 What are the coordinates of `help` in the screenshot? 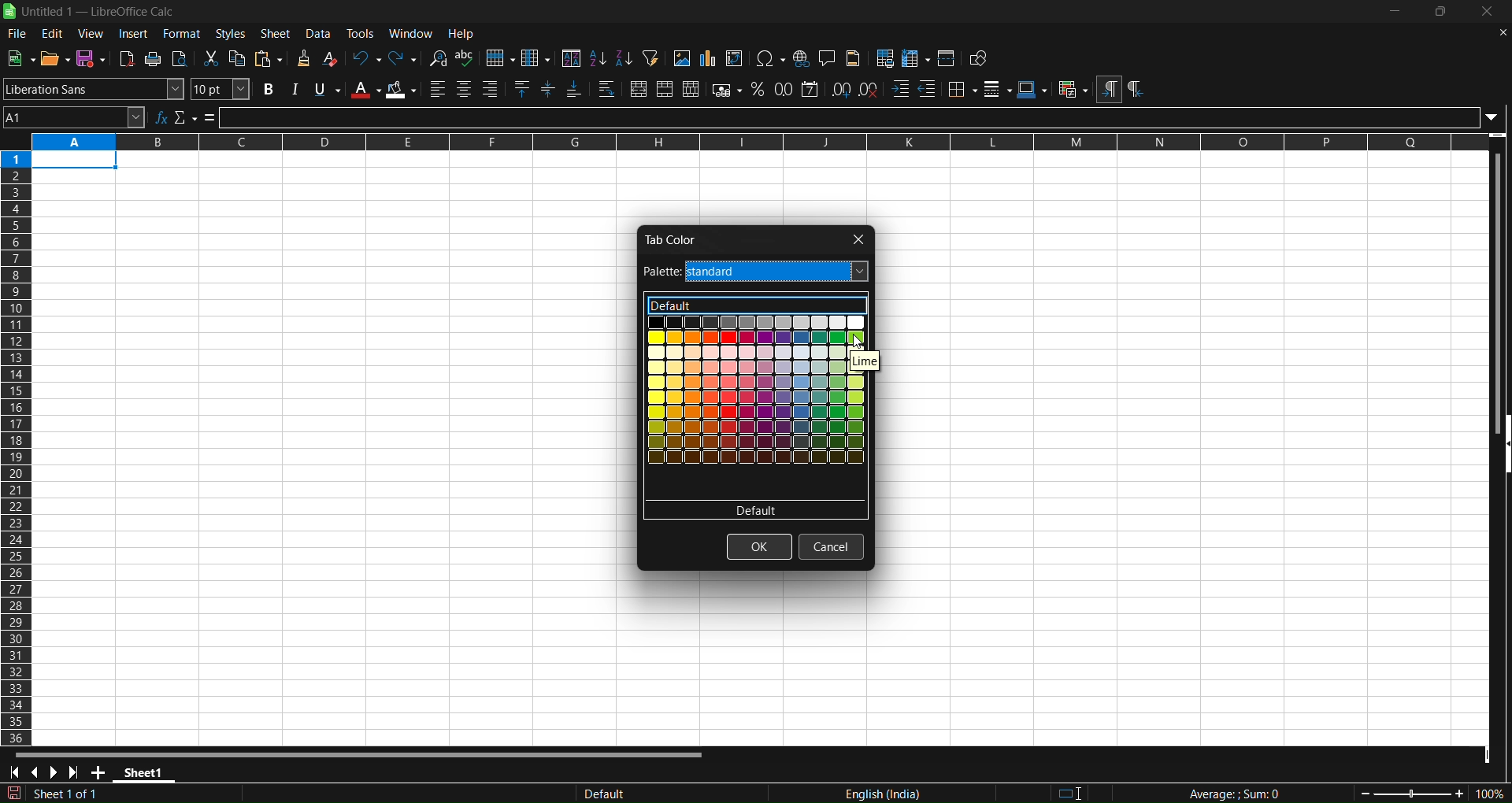 It's located at (465, 34).